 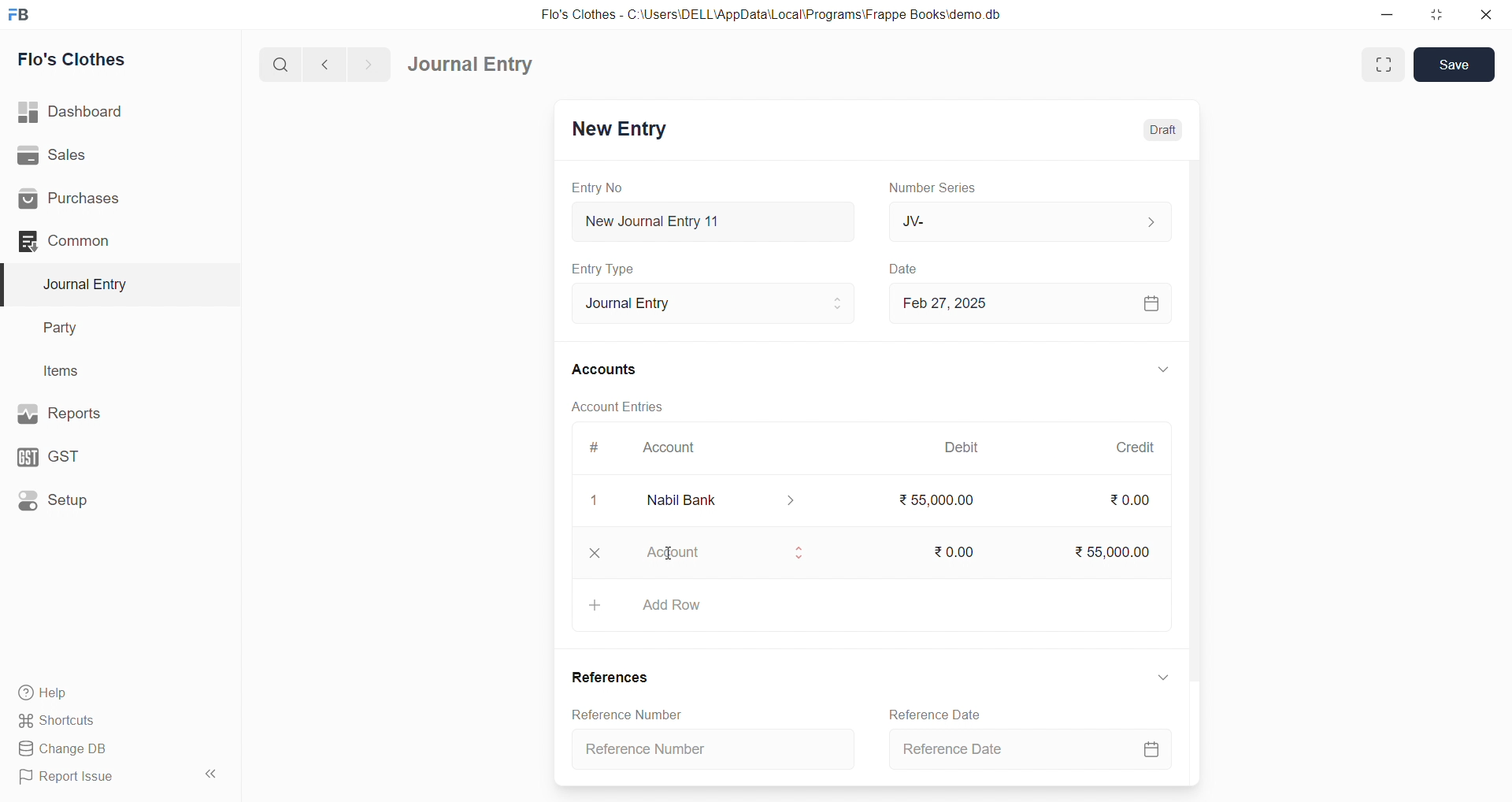 I want to click on resize, so click(x=1436, y=13).